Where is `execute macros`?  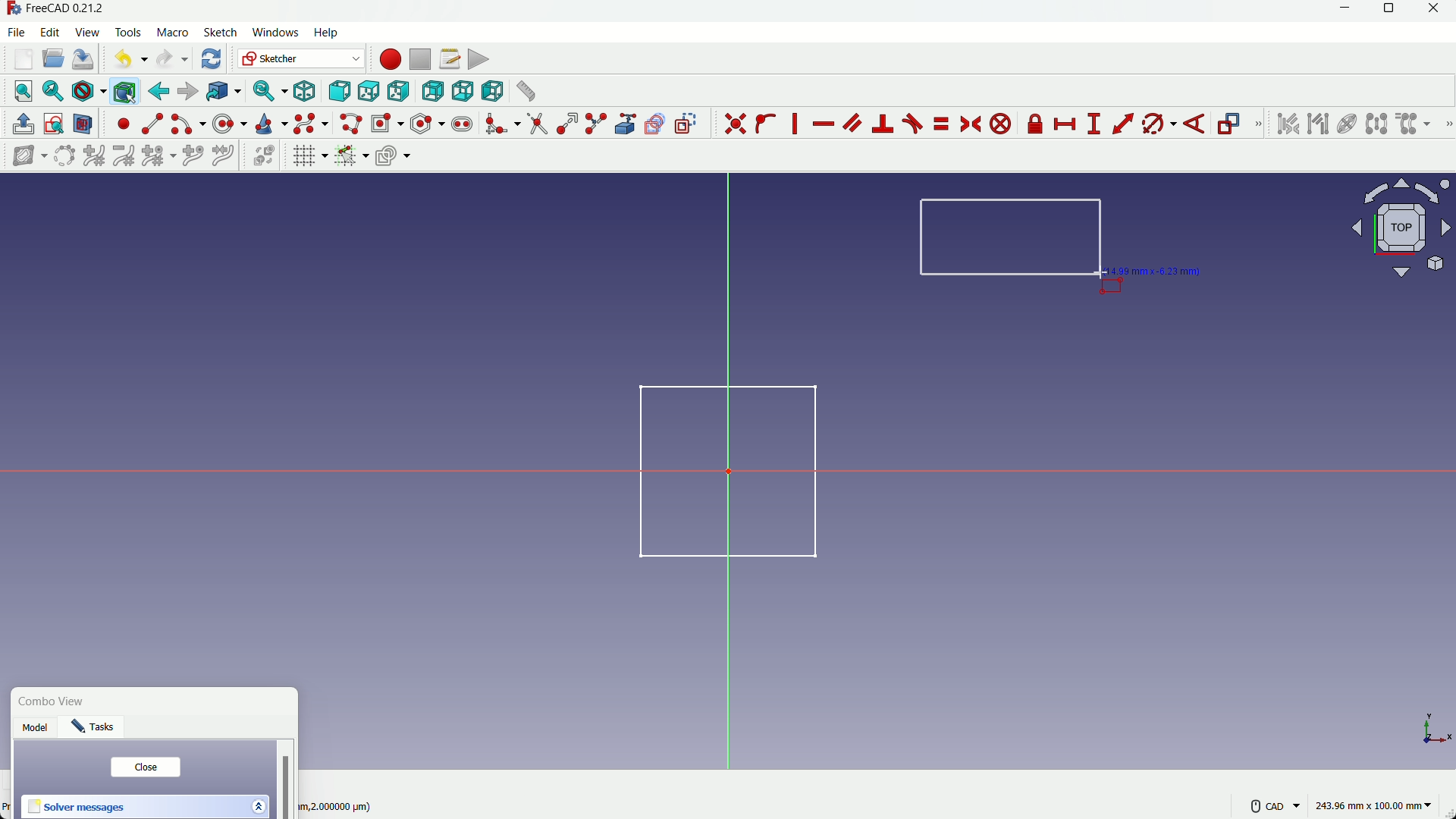
execute macros is located at coordinates (479, 59).